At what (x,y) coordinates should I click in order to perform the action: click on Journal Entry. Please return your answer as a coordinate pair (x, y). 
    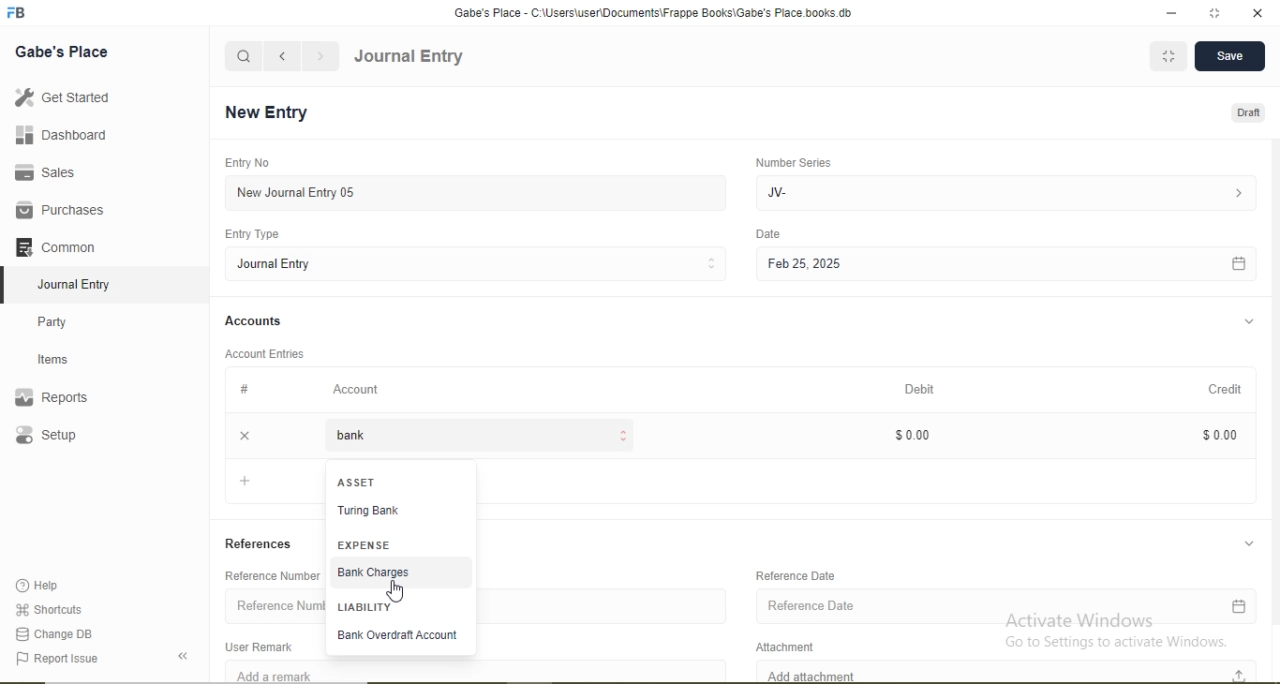
    Looking at the image, I should click on (80, 282).